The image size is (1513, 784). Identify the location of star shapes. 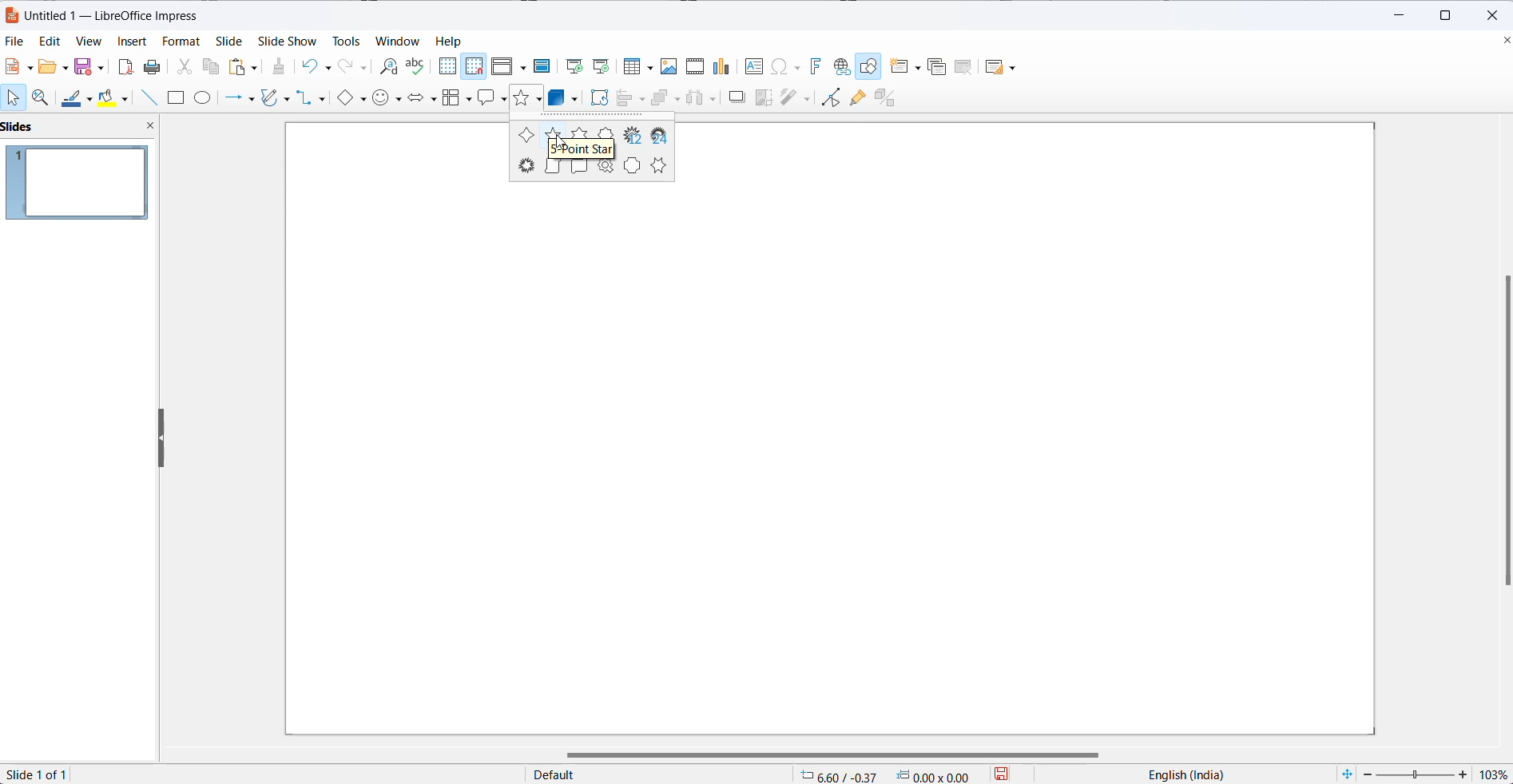
(527, 101).